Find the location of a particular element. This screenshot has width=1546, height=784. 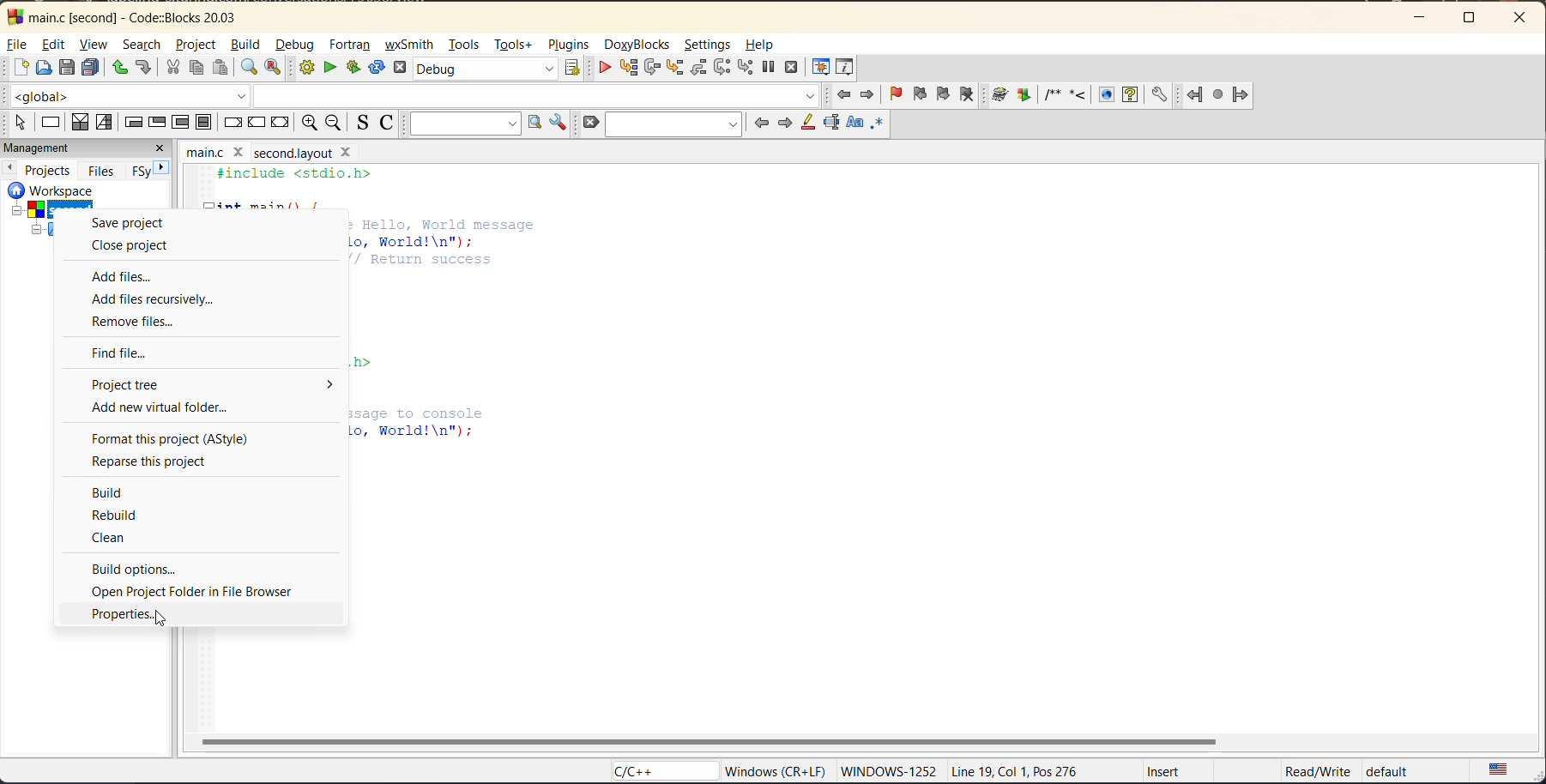

clear bookmark is located at coordinates (966, 95).